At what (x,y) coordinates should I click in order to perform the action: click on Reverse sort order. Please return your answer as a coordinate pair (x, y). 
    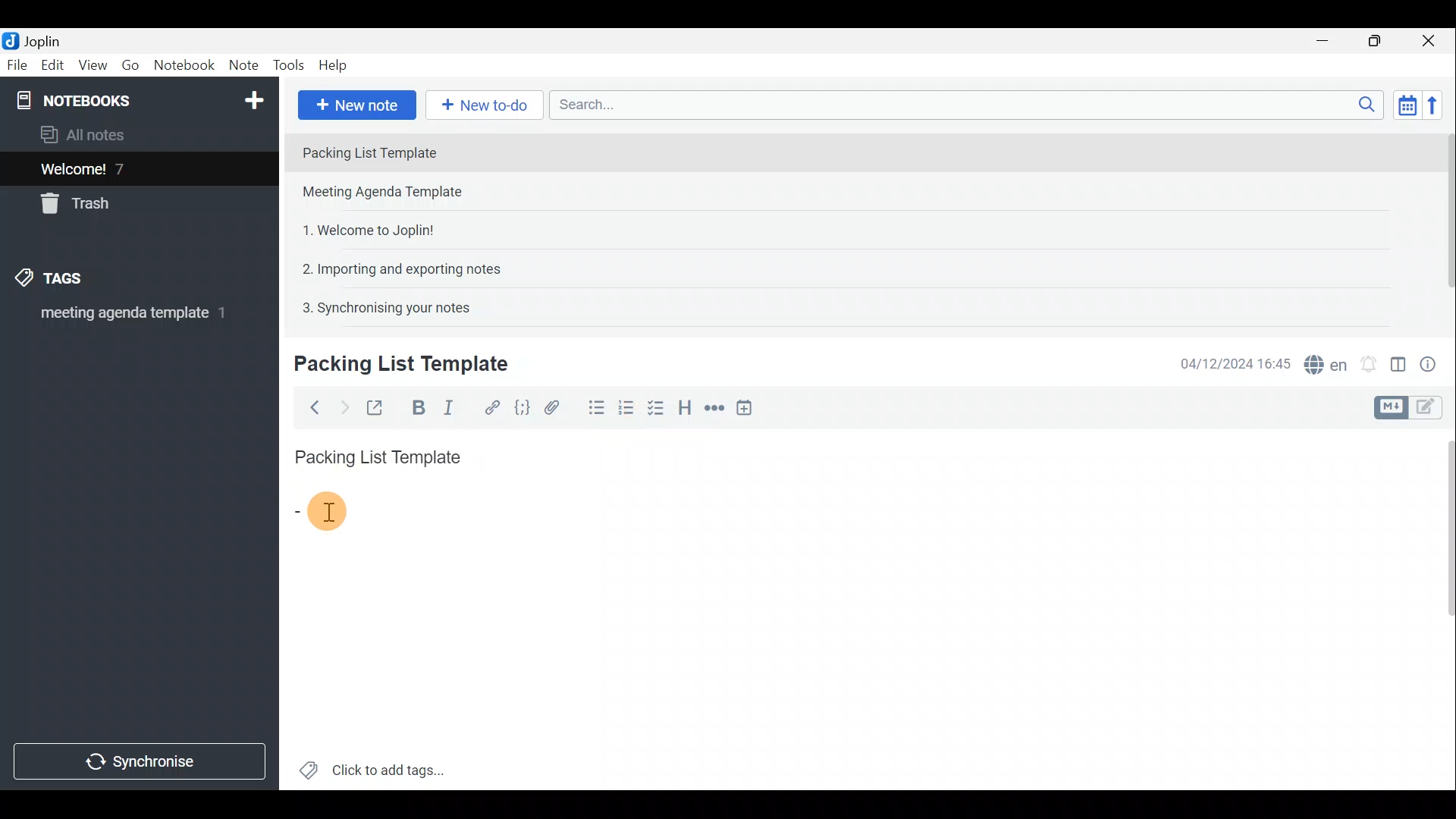
    Looking at the image, I should click on (1438, 104).